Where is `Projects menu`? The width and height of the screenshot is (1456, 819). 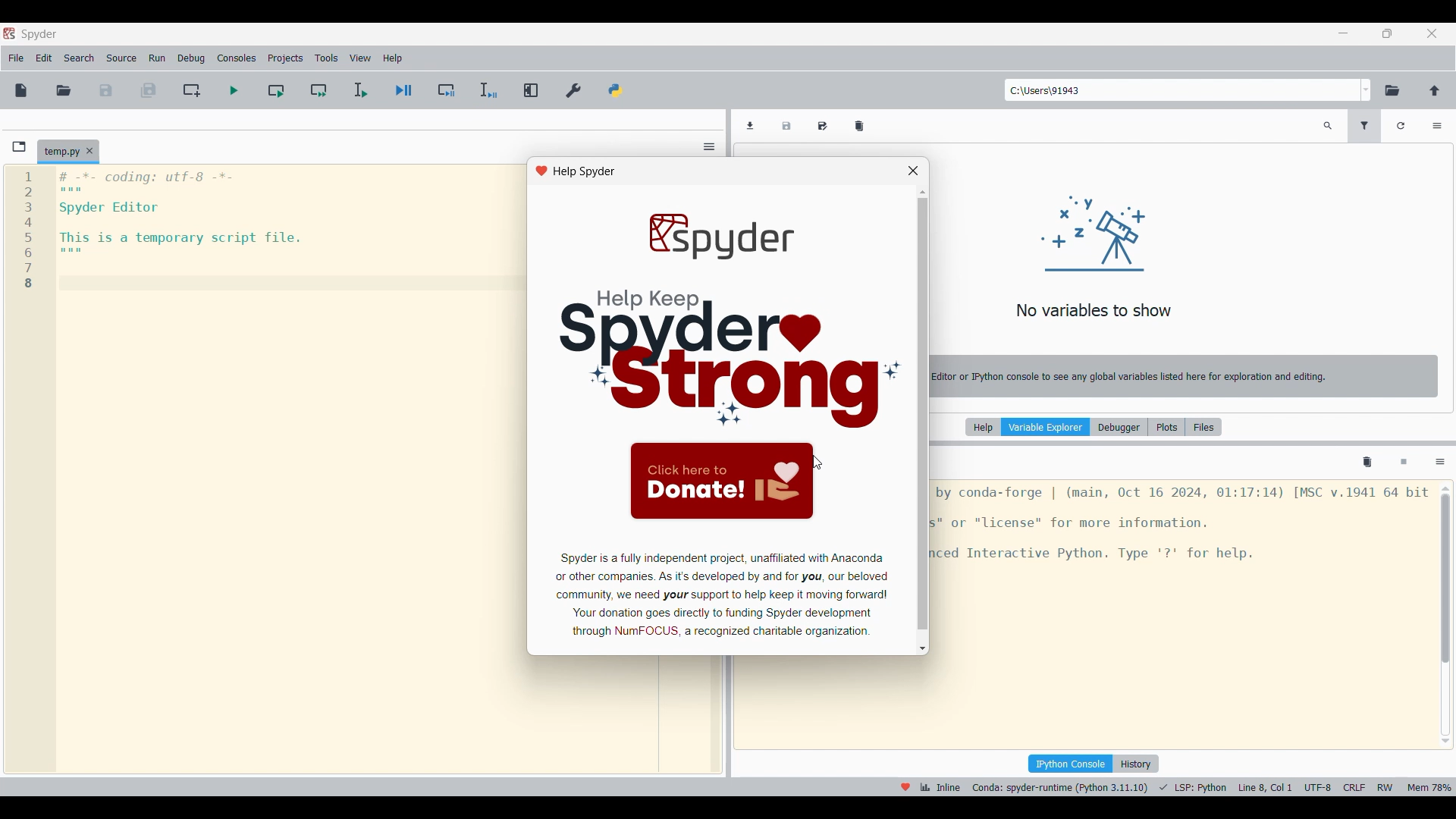
Projects menu is located at coordinates (286, 58).